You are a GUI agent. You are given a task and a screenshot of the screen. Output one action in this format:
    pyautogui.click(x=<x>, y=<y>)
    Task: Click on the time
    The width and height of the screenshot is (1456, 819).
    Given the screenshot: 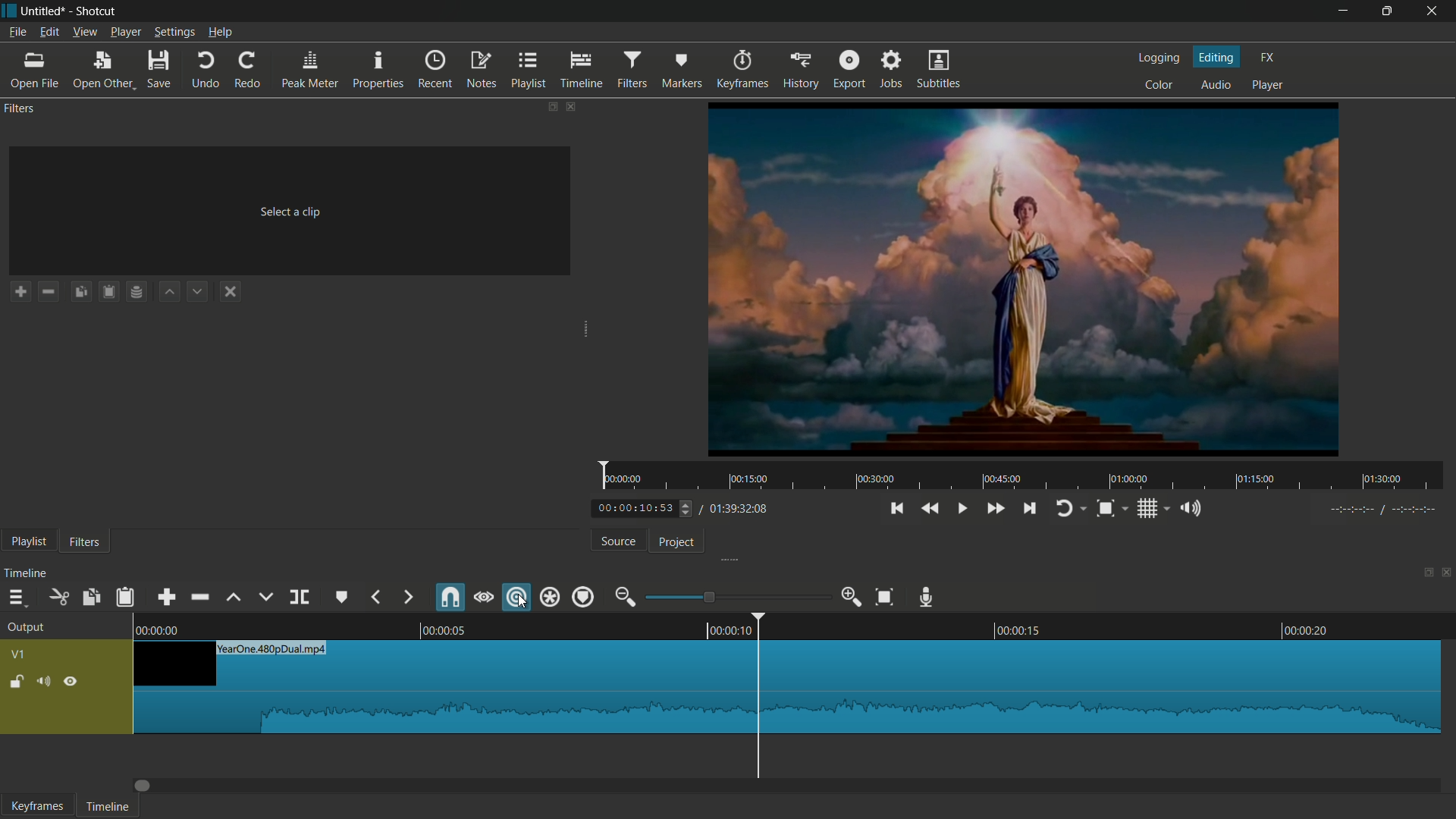 What is the action you would take?
    pyautogui.click(x=1384, y=510)
    